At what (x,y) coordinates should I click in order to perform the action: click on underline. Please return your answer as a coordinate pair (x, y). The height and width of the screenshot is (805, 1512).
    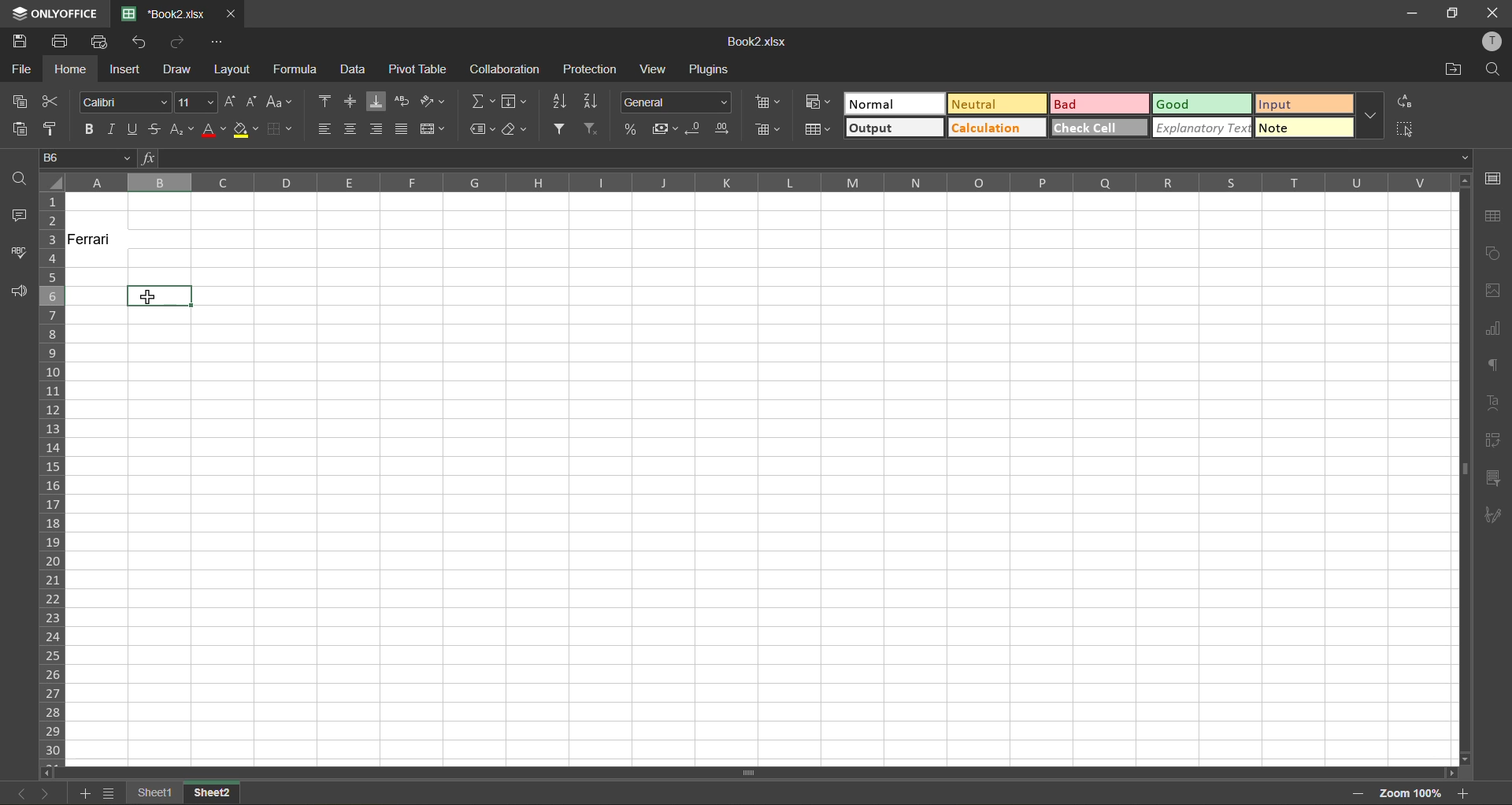
    Looking at the image, I should click on (135, 130).